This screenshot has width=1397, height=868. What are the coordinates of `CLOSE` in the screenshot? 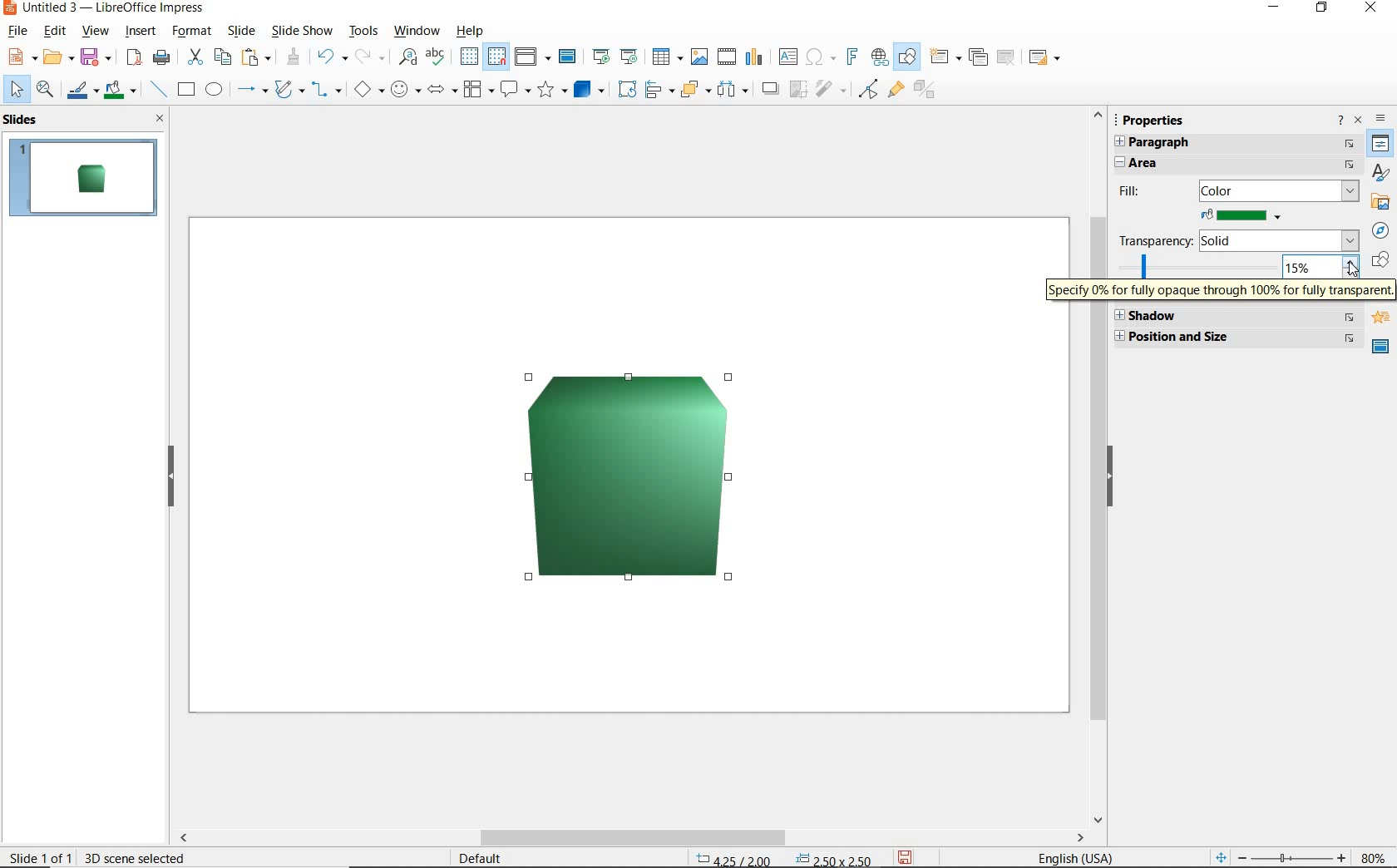 It's located at (1373, 9).